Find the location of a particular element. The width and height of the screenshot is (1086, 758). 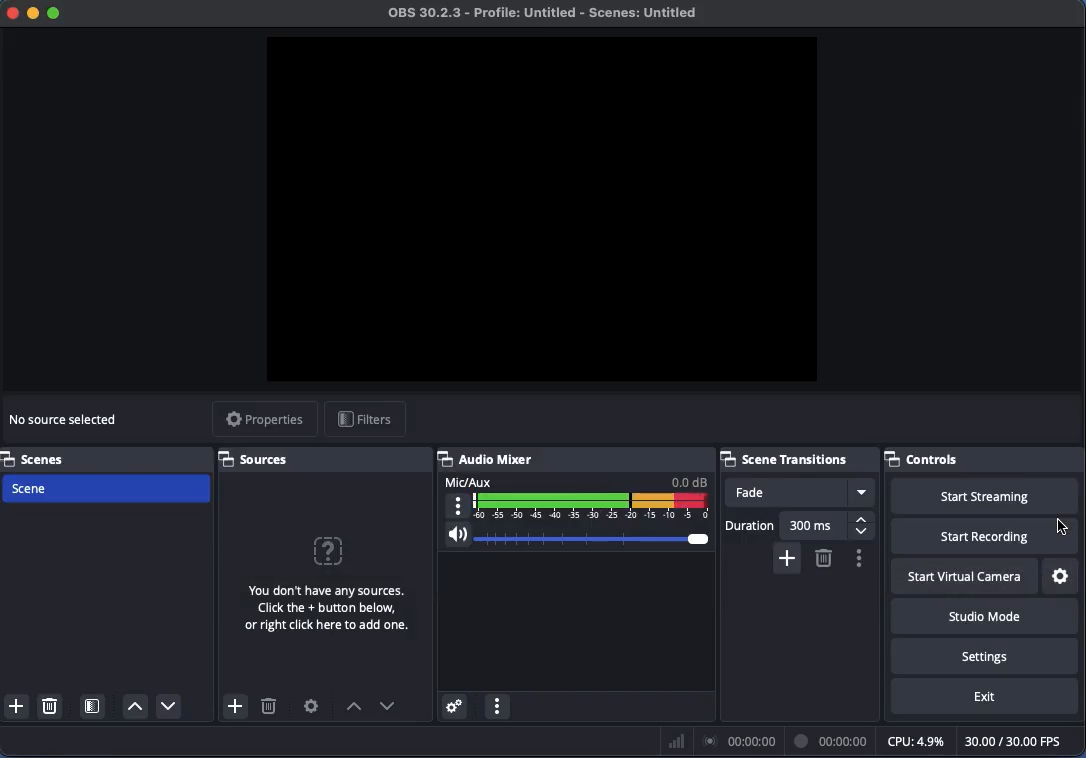

Minimize is located at coordinates (33, 12).